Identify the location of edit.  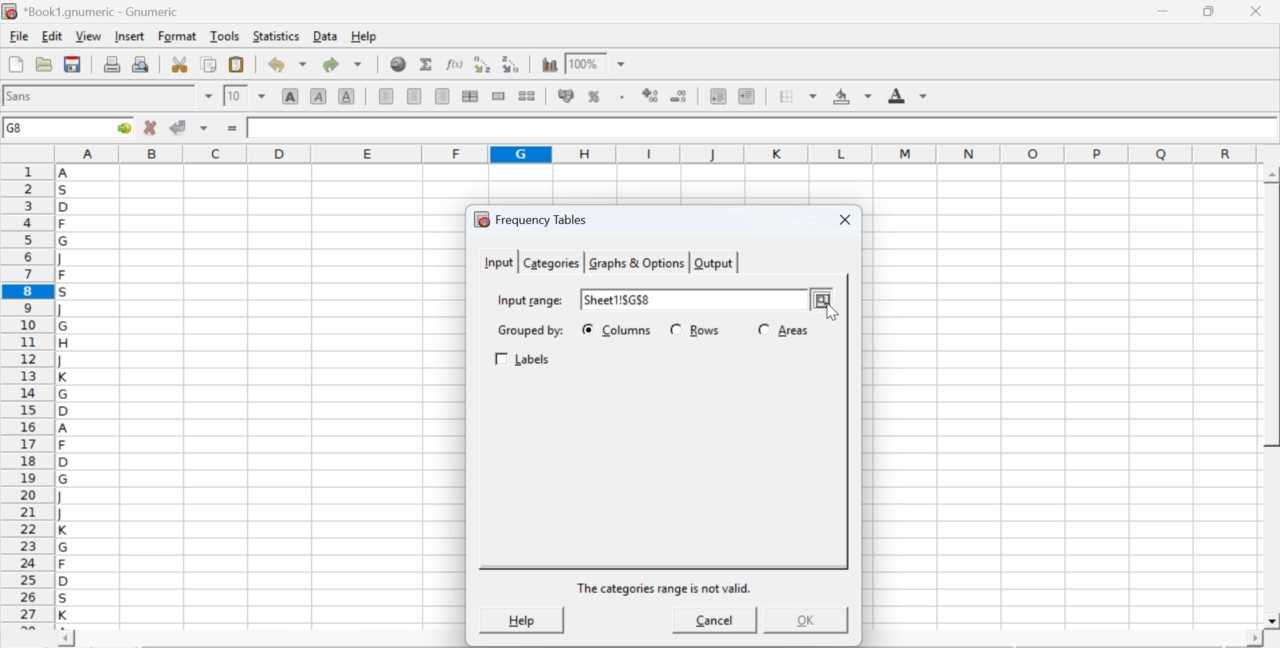
(52, 36).